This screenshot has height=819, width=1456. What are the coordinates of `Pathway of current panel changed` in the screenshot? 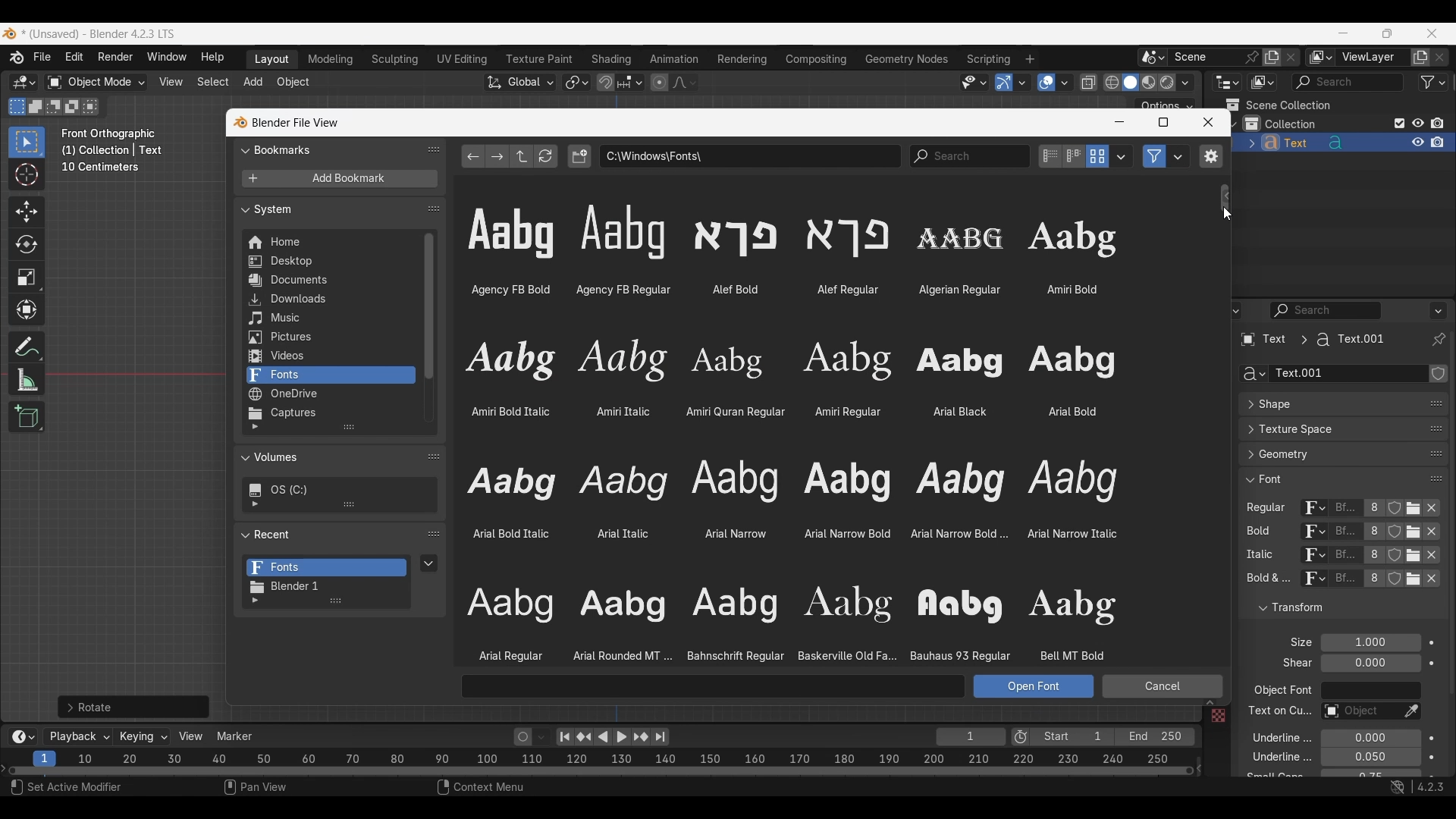 It's located at (1311, 340).